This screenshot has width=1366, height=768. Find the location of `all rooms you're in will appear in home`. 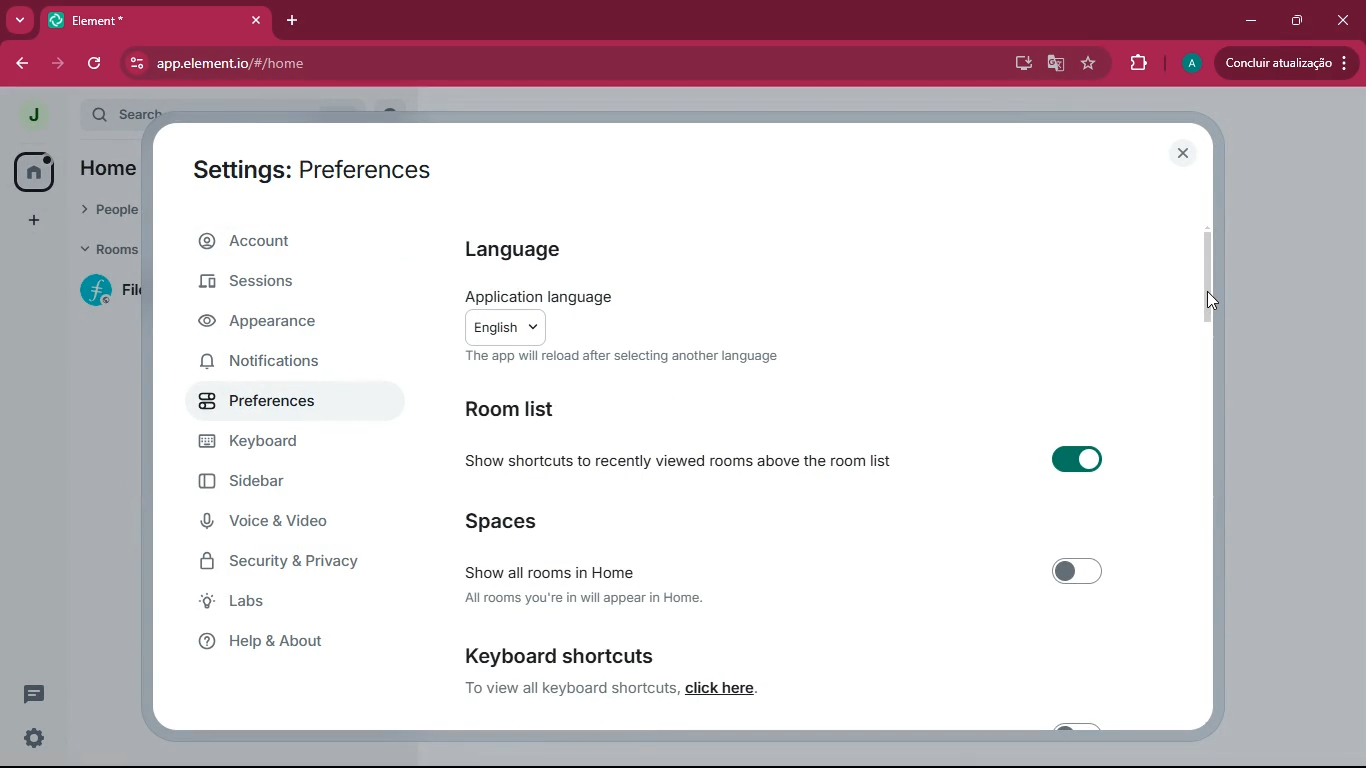

all rooms you're in will appear in home is located at coordinates (583, 597).